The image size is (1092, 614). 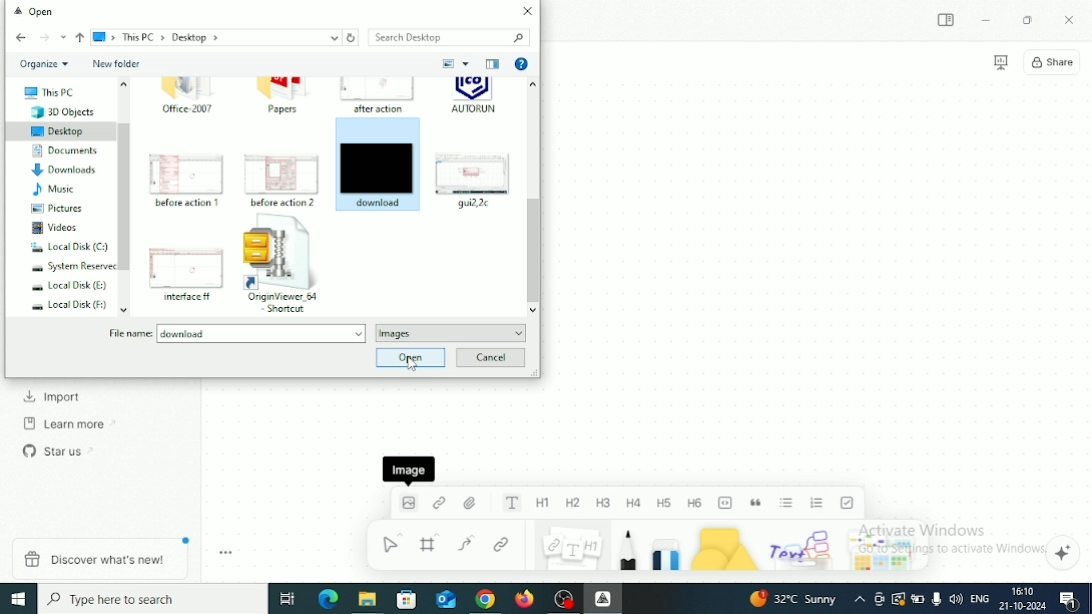 I want to click on Frame, so click(x=432, y=543).